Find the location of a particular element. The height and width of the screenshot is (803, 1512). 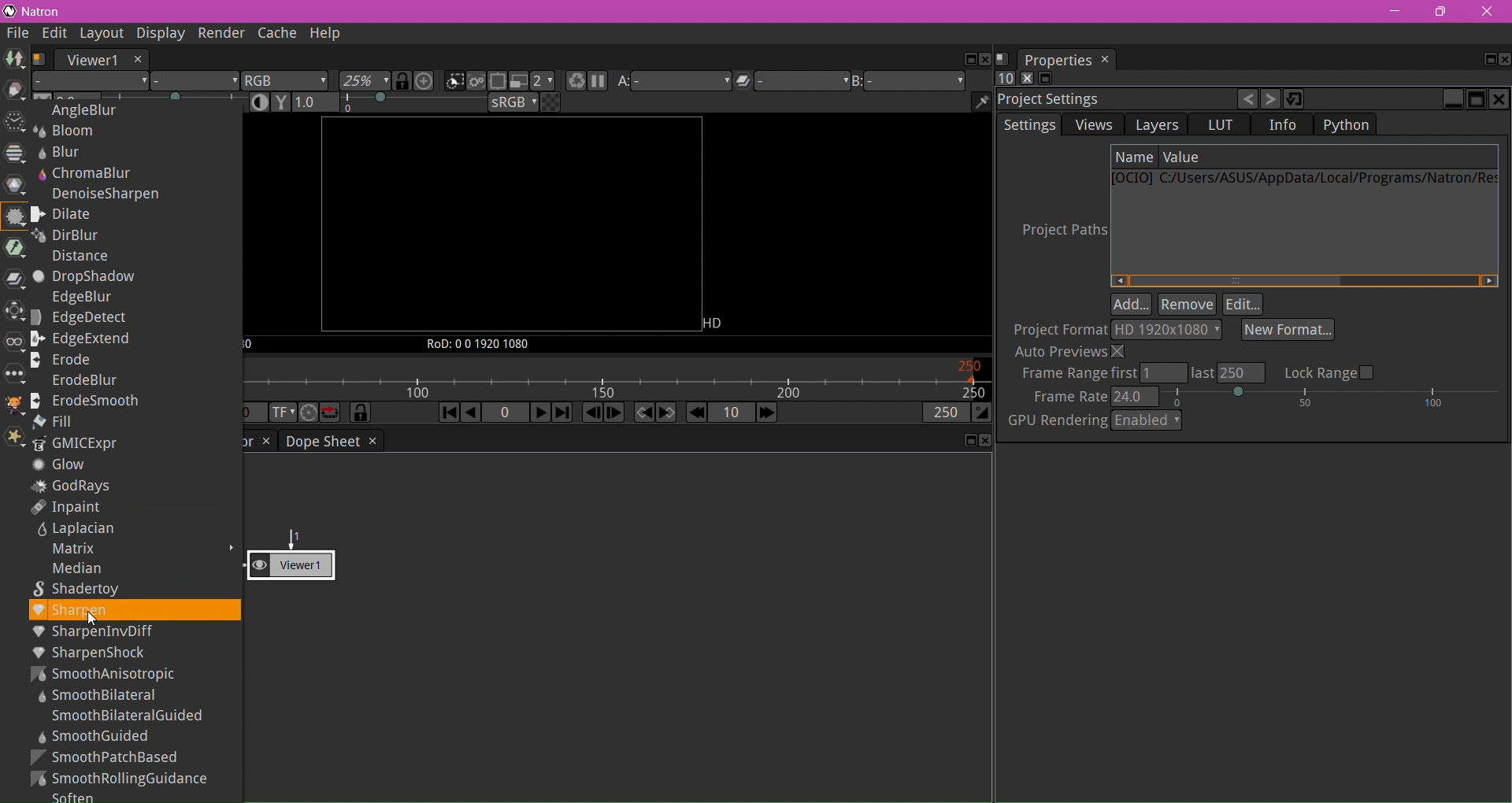

The channels to display on the viewer is located at coordinates (286, 81).